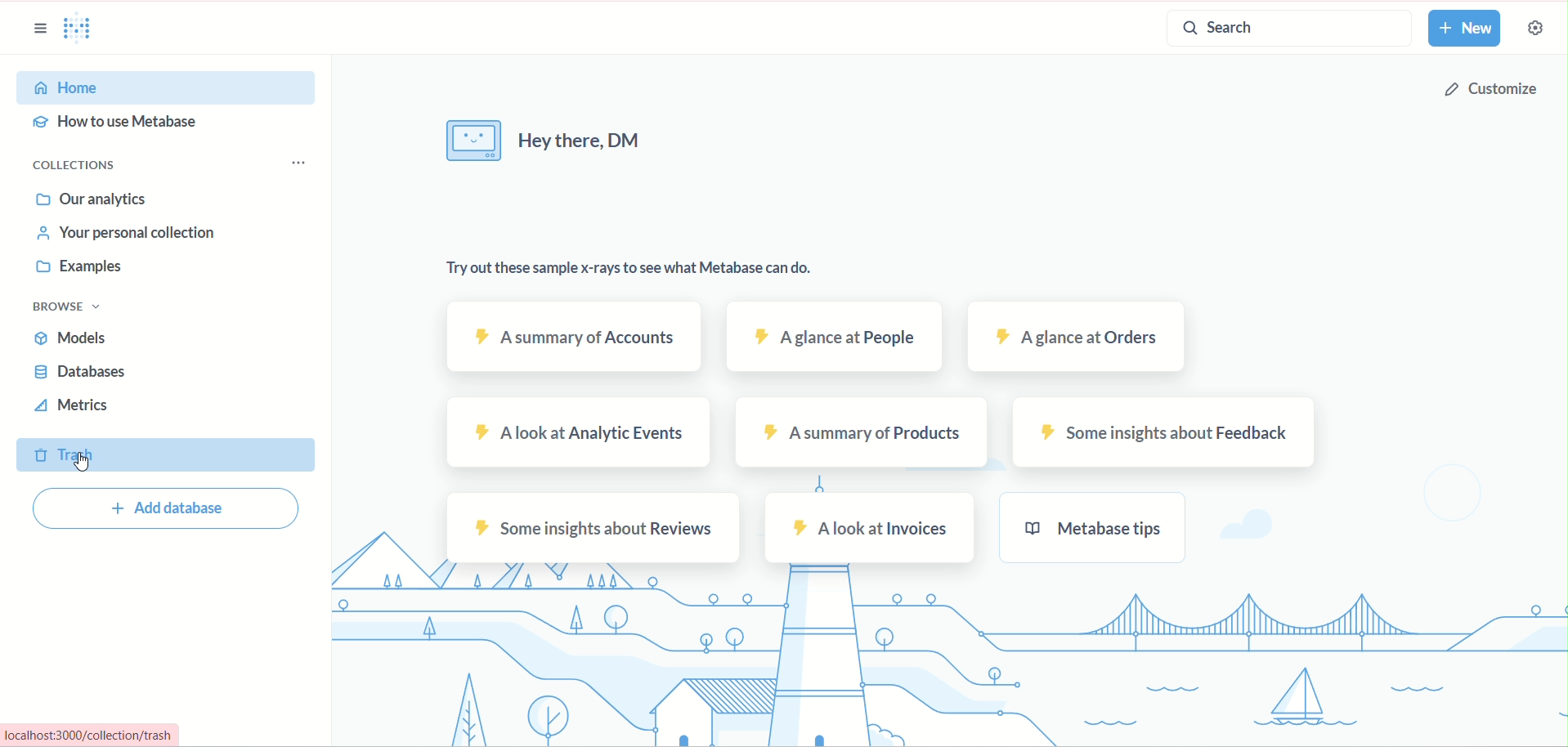 The height and width of the screenshot is (747, 1568). What do you see at coordinates (1534, 27) in the screenshot?
I see `settings` at bounding box center [1534, 27].